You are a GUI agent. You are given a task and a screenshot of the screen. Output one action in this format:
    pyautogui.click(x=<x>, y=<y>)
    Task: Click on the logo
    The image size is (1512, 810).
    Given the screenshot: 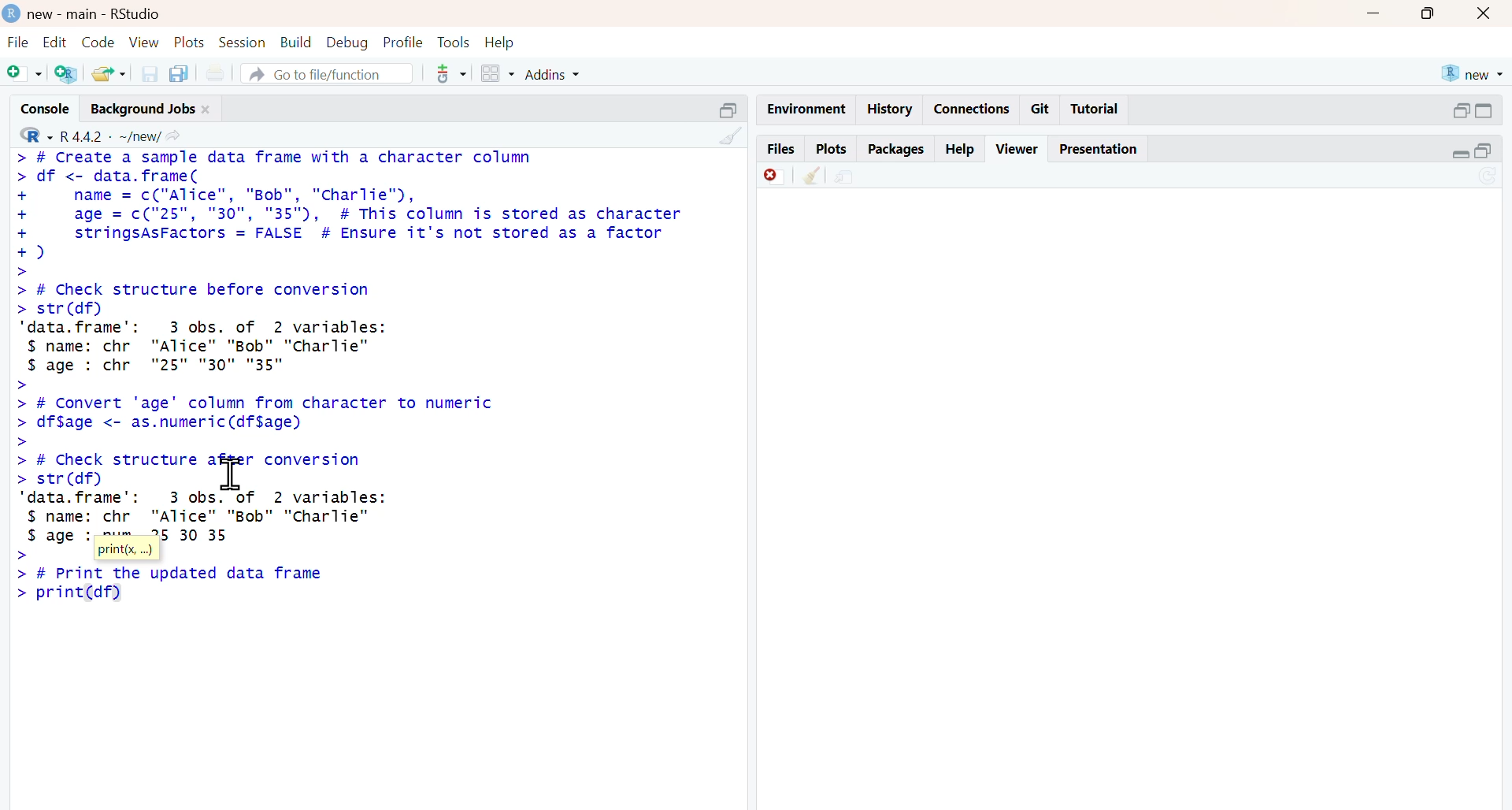 What is the action you would take?
    pyautogui.click(x=13, y=13)
    